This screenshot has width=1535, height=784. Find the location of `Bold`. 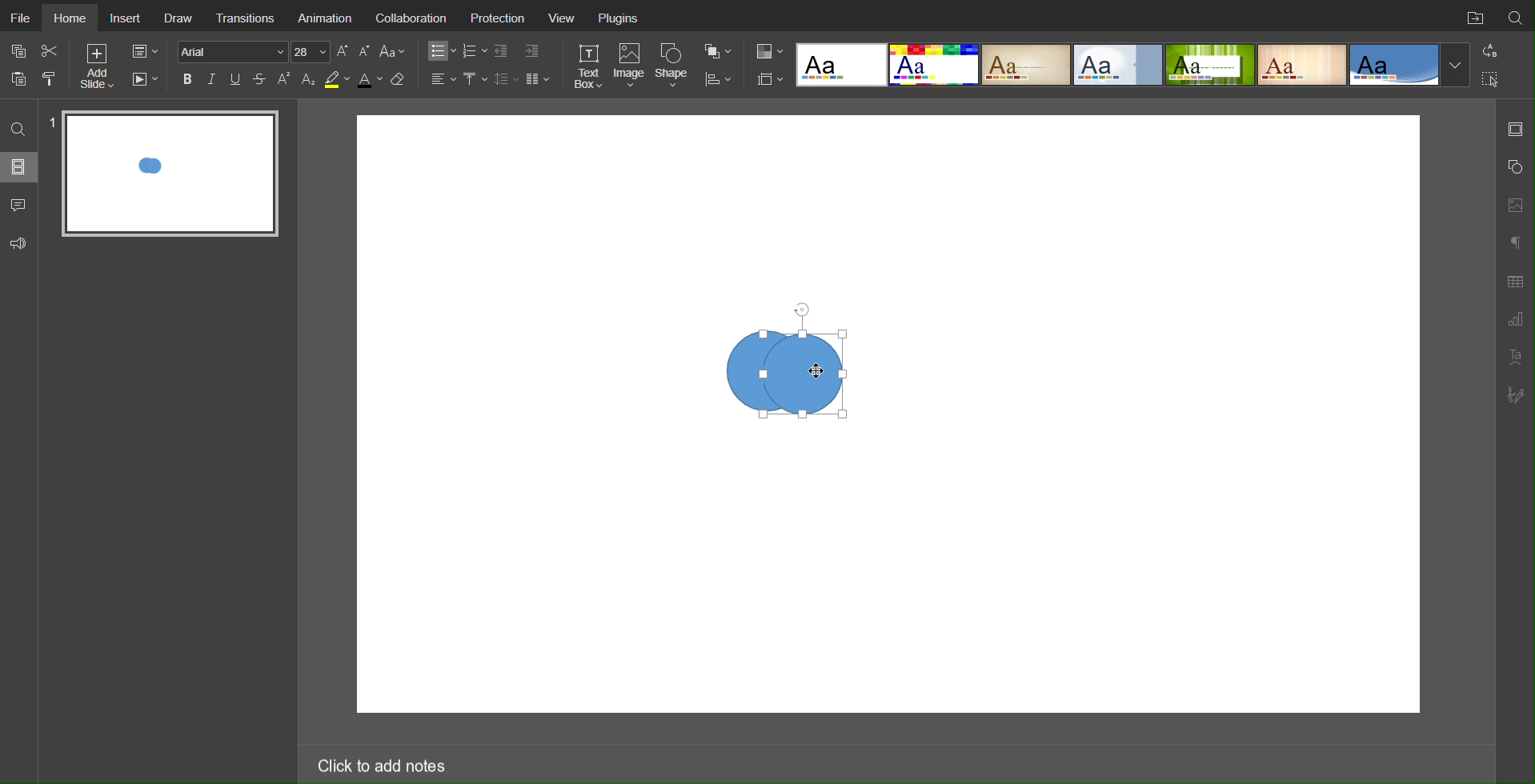

Bold is located at coordinates (187, 78).